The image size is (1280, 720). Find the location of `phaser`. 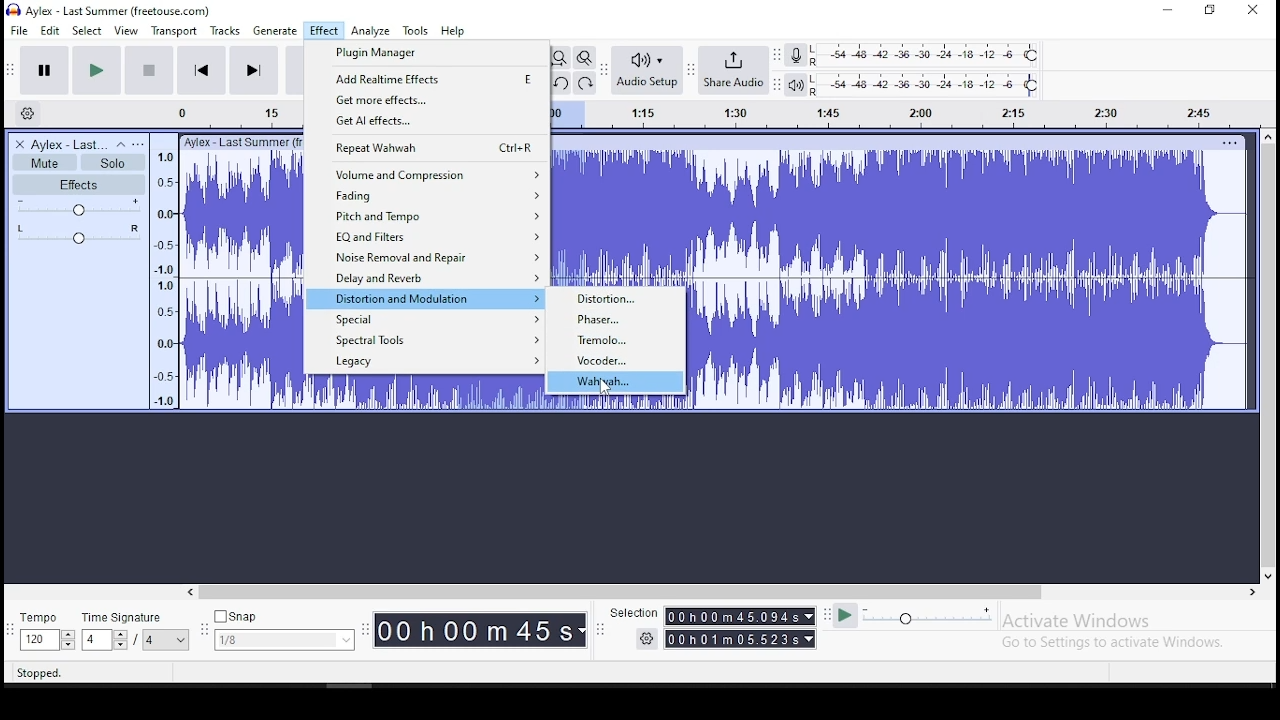

phaser is located at coordinates (619, 320).